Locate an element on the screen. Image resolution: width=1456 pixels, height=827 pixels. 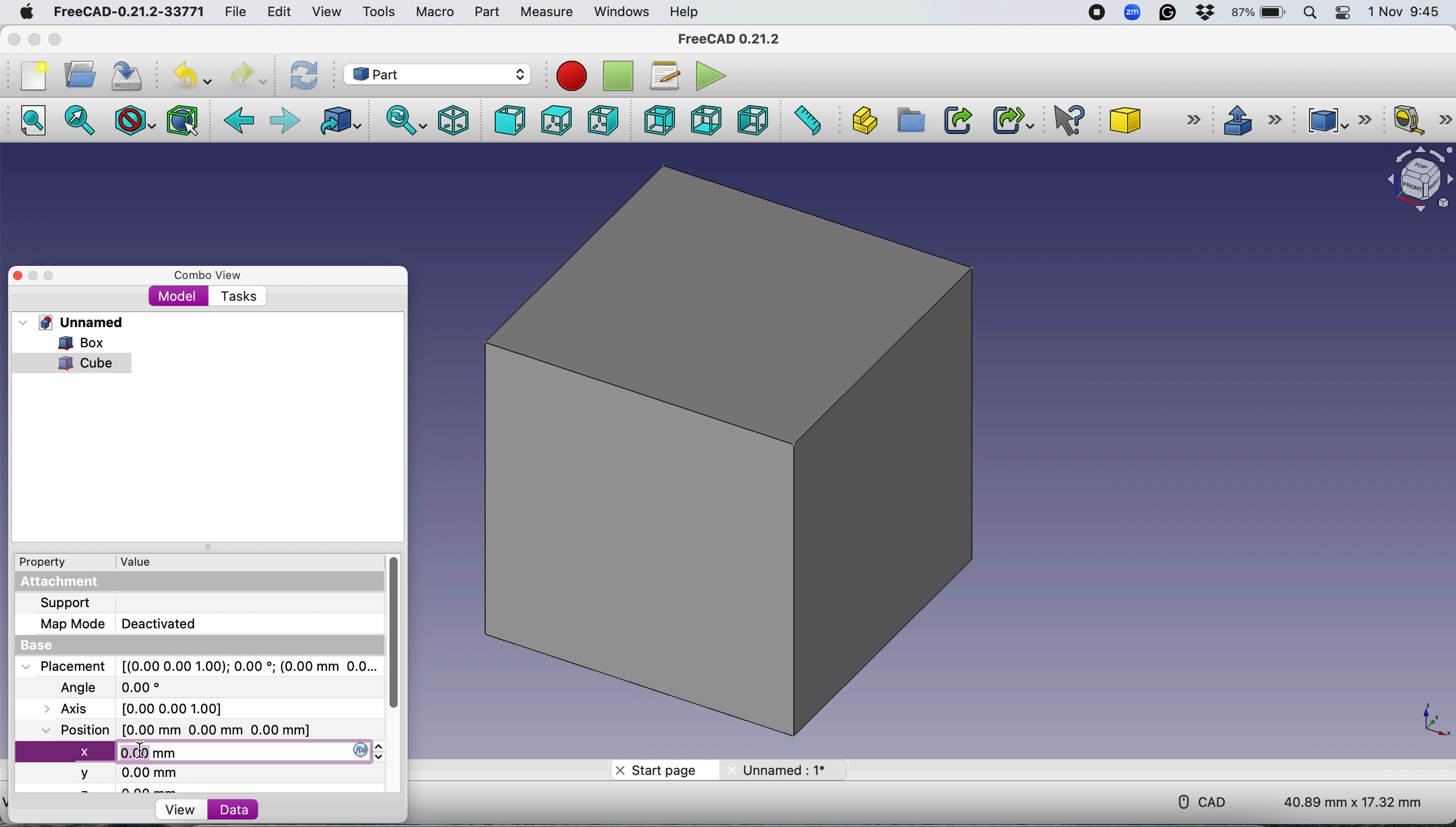
Open is located at coordinates (80, 74).